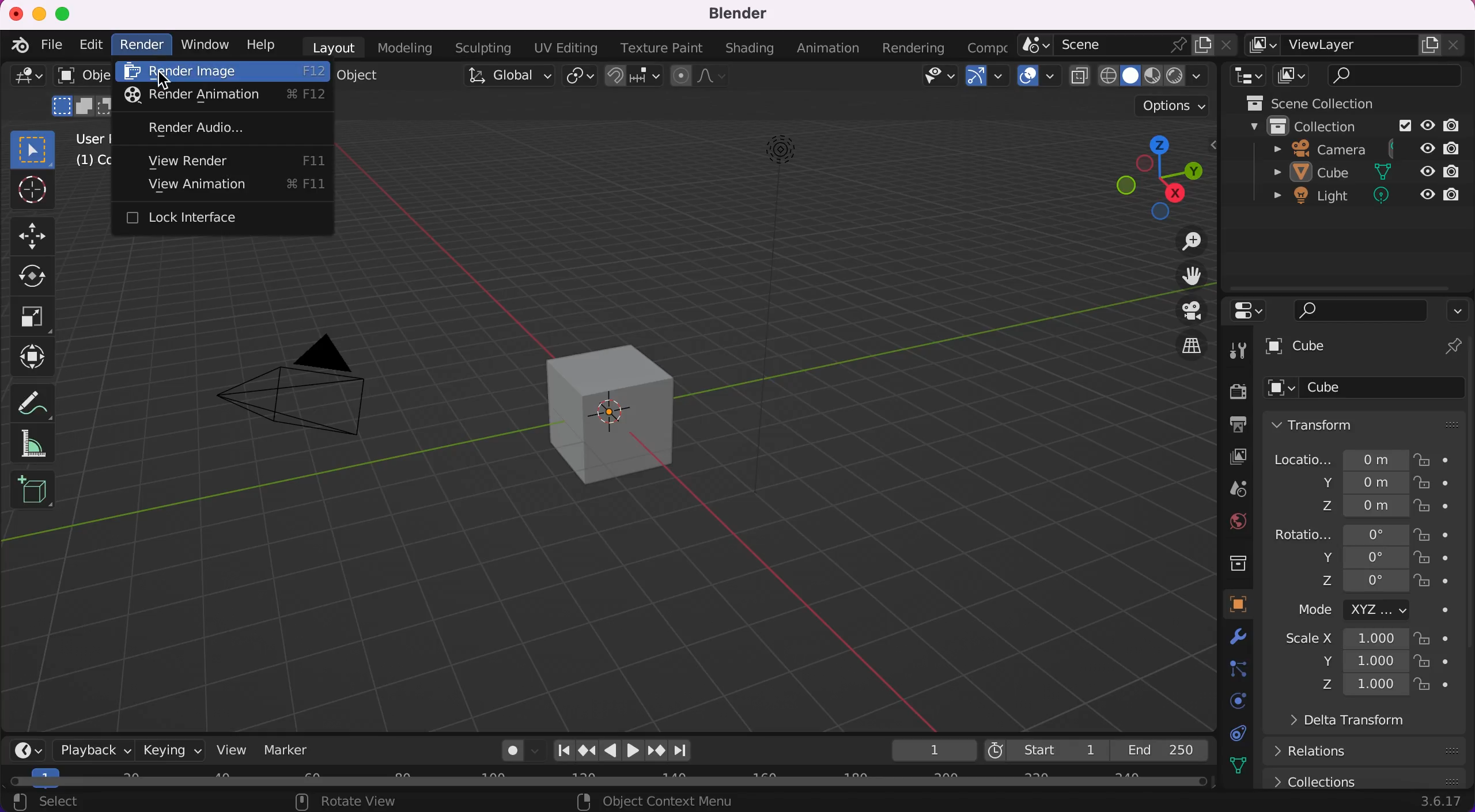 This screenshot has height=812, width=1475. What do you see at coordinates (256, 47) in the screenshot?
I see `help` at bounding box center [256, 47].